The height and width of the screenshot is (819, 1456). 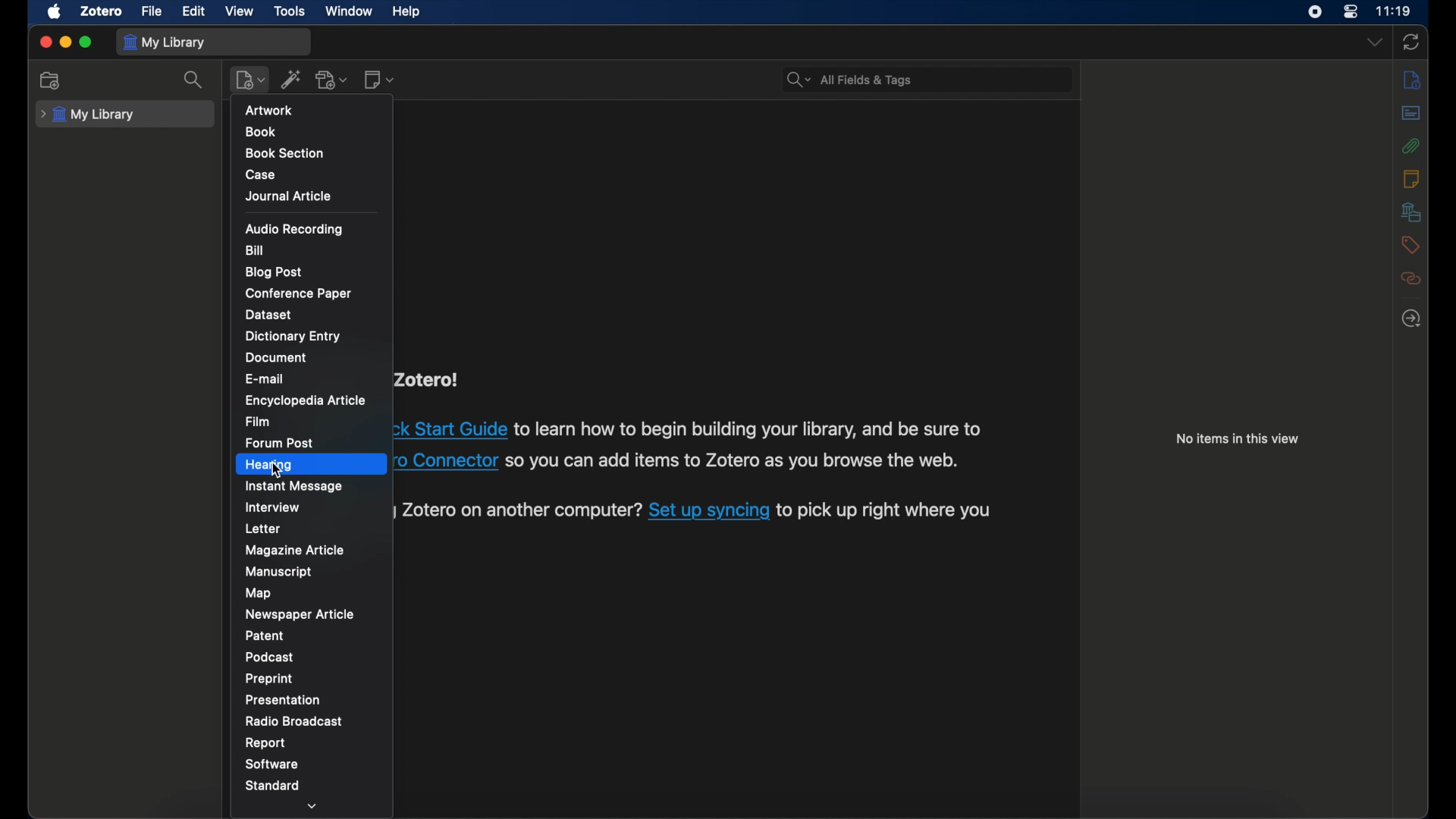 What do you see at coordinates (51, 80) in the screenshot?
I see `add collection` at bounding box center [51, 80].